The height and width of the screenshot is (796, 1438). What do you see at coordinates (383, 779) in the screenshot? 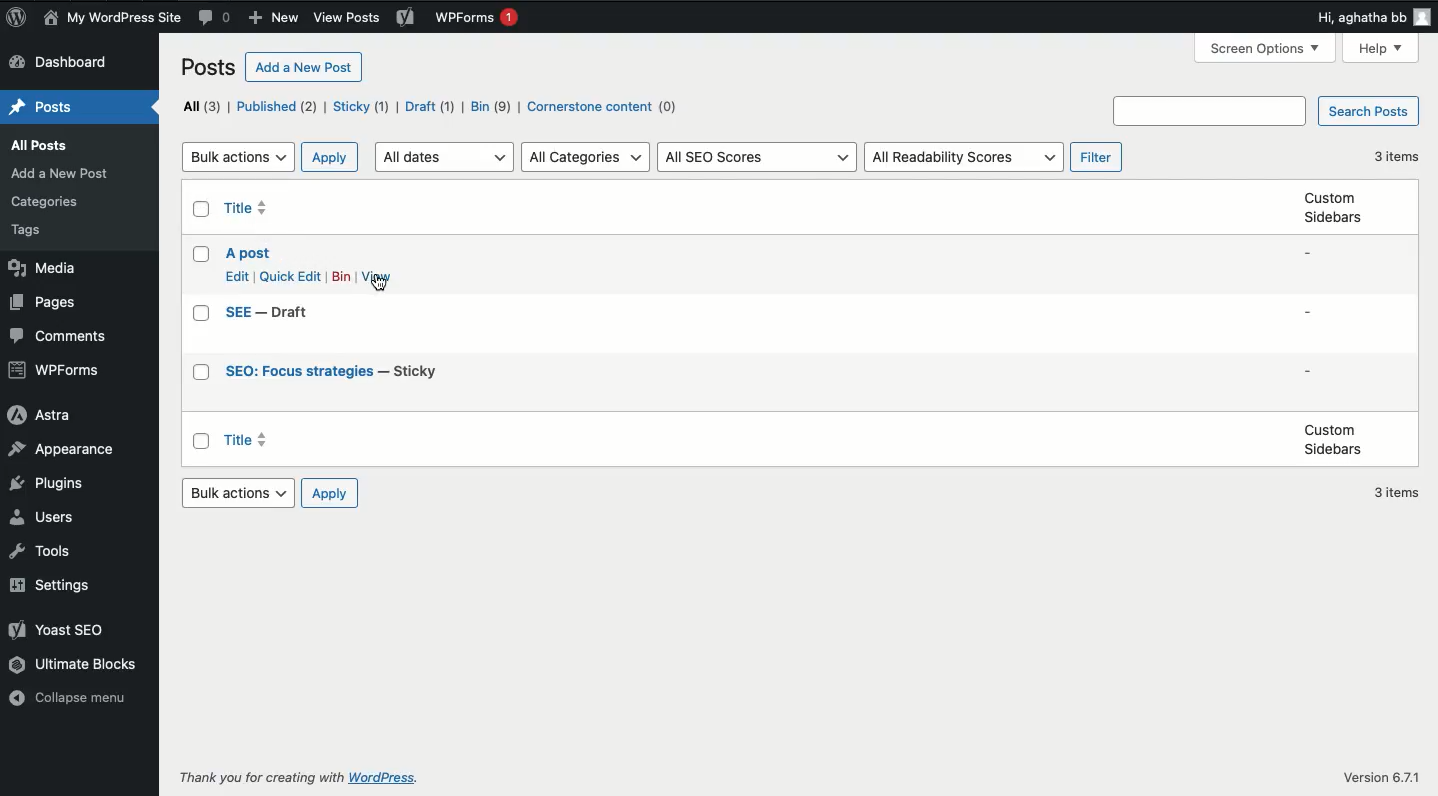
I see `` at bounding box center [383, 779].